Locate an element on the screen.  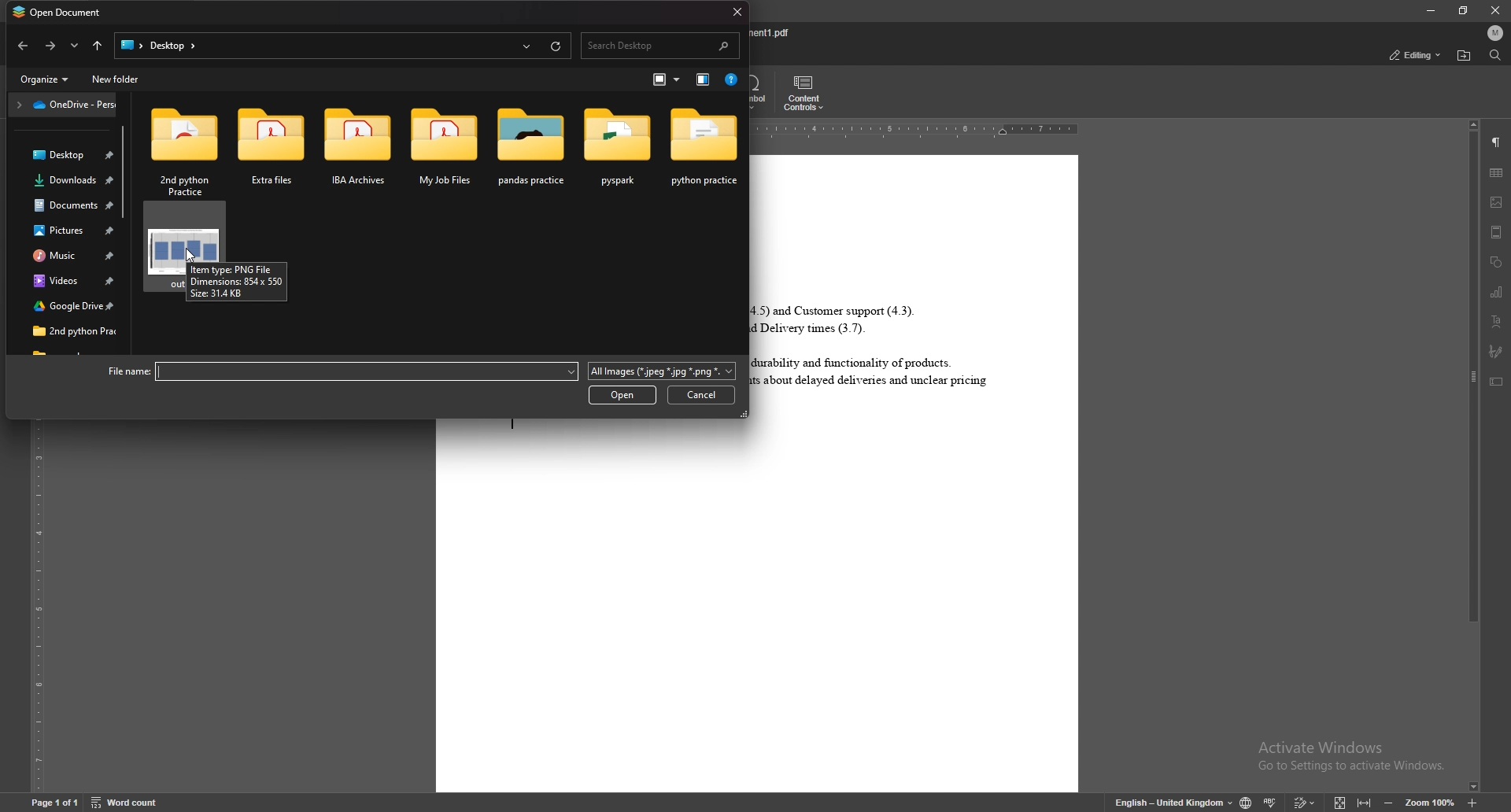
folder is located at coordinates (61, 329).